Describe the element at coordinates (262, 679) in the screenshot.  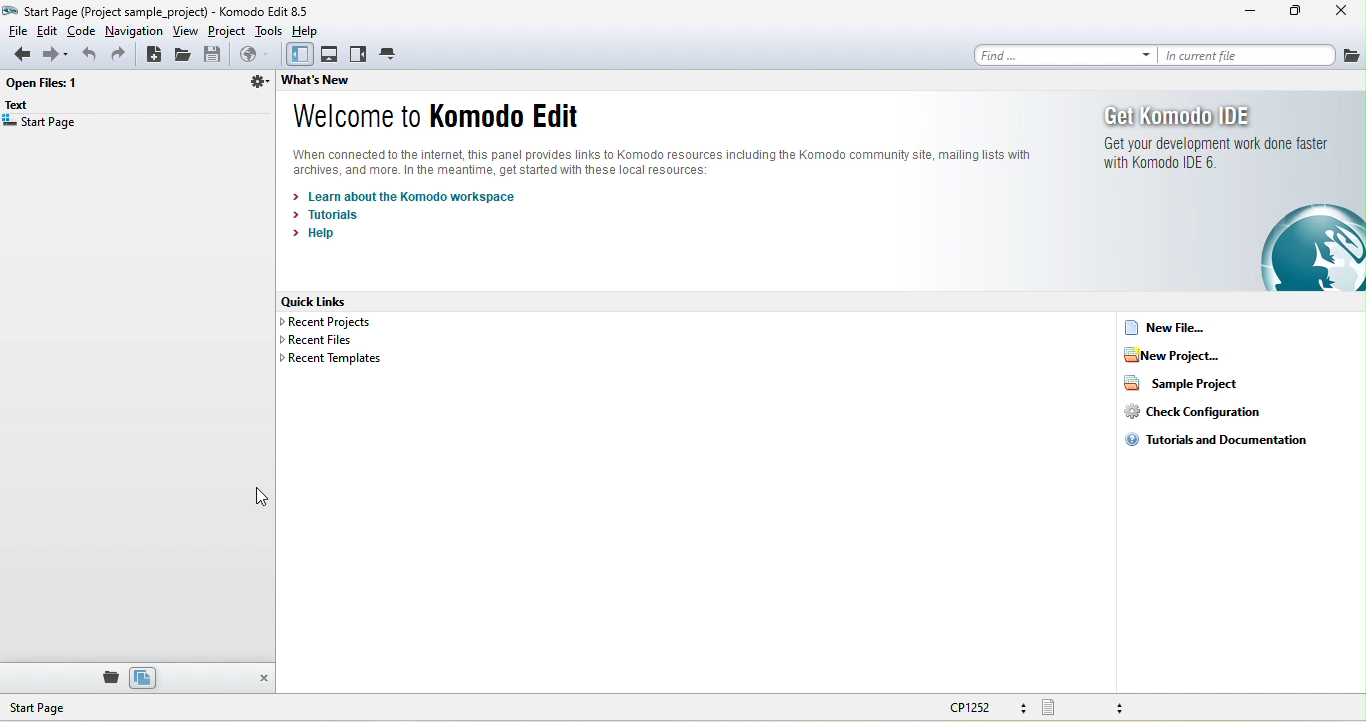
I see `close pane` at that location.